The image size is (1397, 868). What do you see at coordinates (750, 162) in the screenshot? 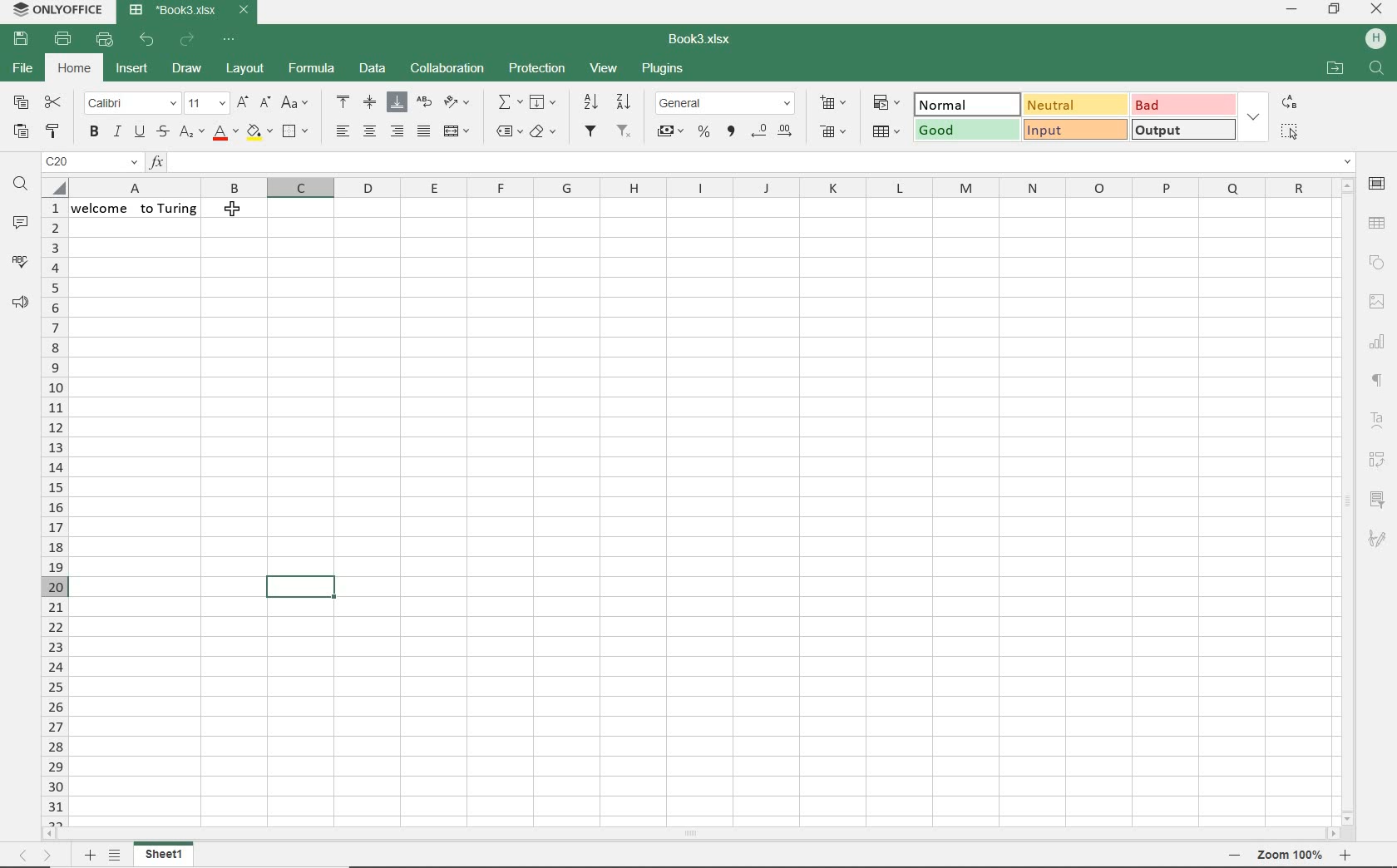
I see `insert function` at bounding box center [750, 162].